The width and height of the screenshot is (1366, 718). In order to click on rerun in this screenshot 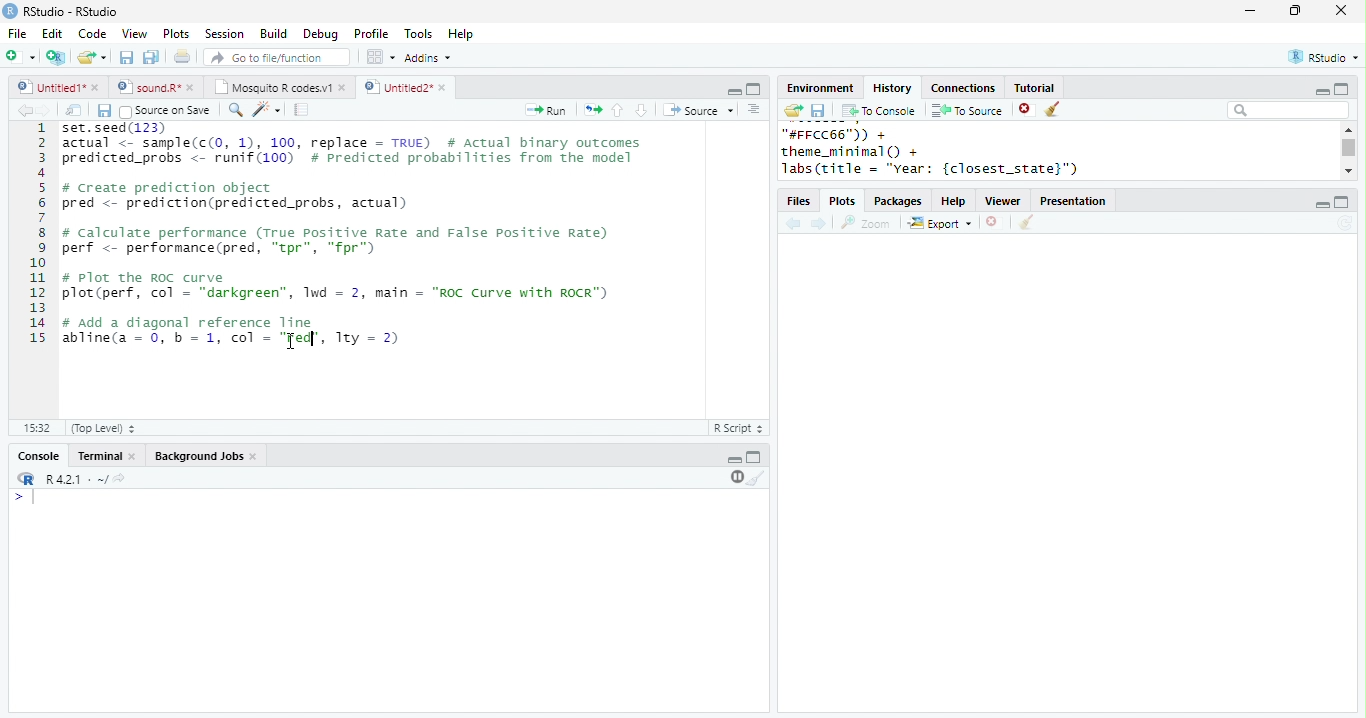, I will do `click(593, 110)`.